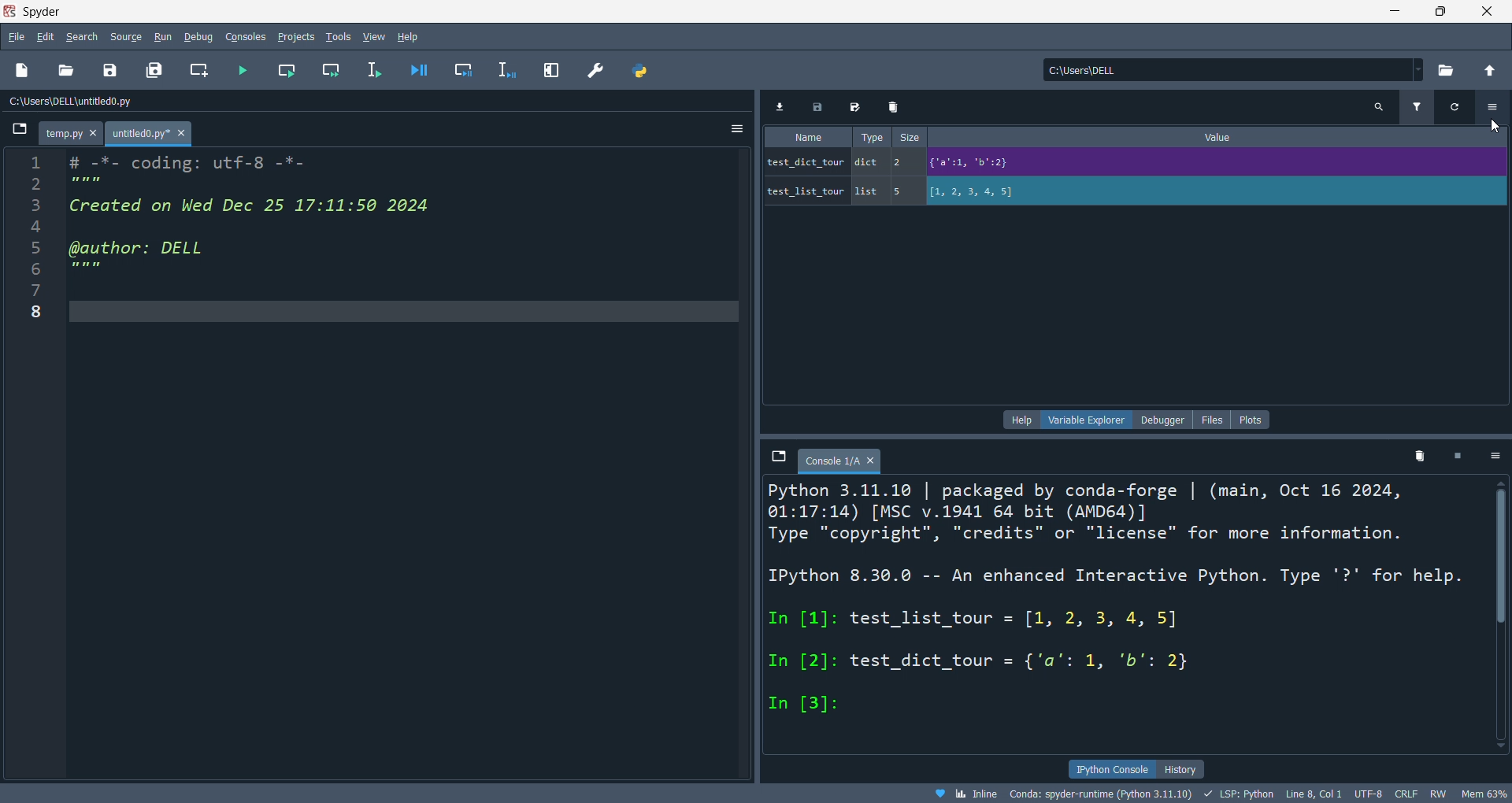 The image size is (1512, 803). Describe the element at coordinates (1020, 420) in the screenshot. I see `help` at that location.